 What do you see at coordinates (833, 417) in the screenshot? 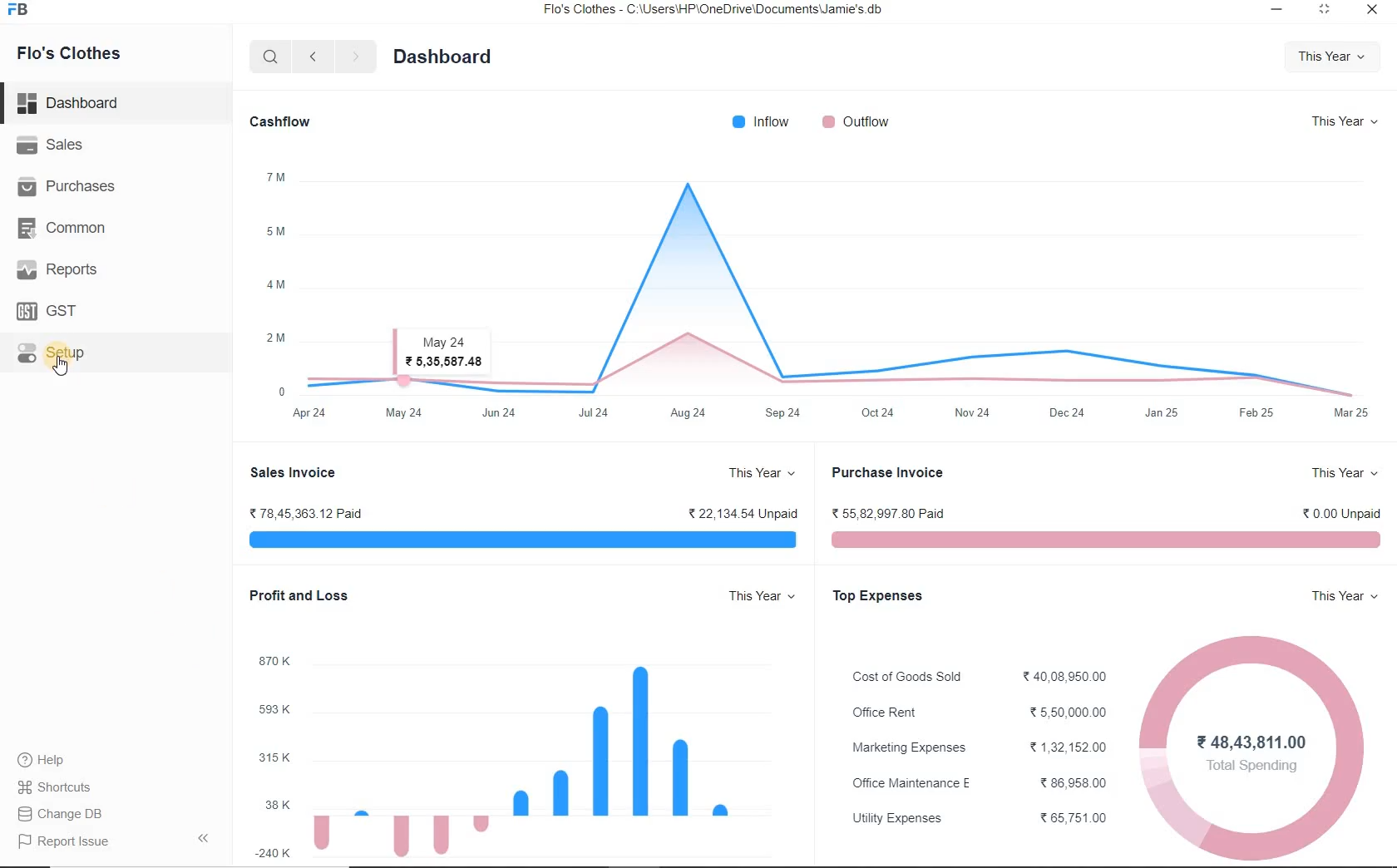
I see `x-axis label ` at bounding box center [833, 417].